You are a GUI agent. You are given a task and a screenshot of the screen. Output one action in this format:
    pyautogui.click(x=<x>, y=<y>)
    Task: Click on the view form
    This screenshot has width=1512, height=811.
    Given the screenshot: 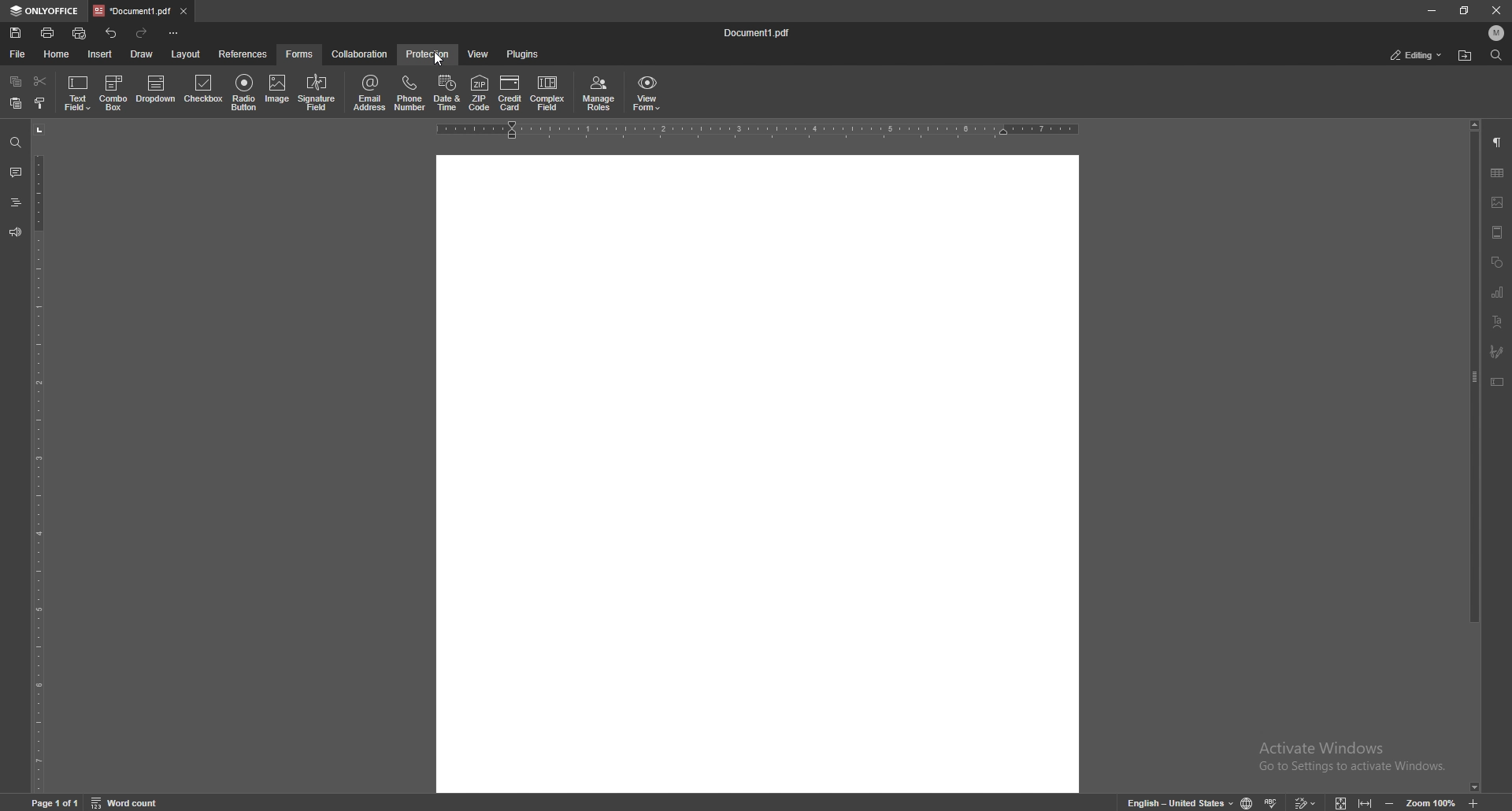 What is the action you would take?
    pyautogui.click(x=647, y=91)
    